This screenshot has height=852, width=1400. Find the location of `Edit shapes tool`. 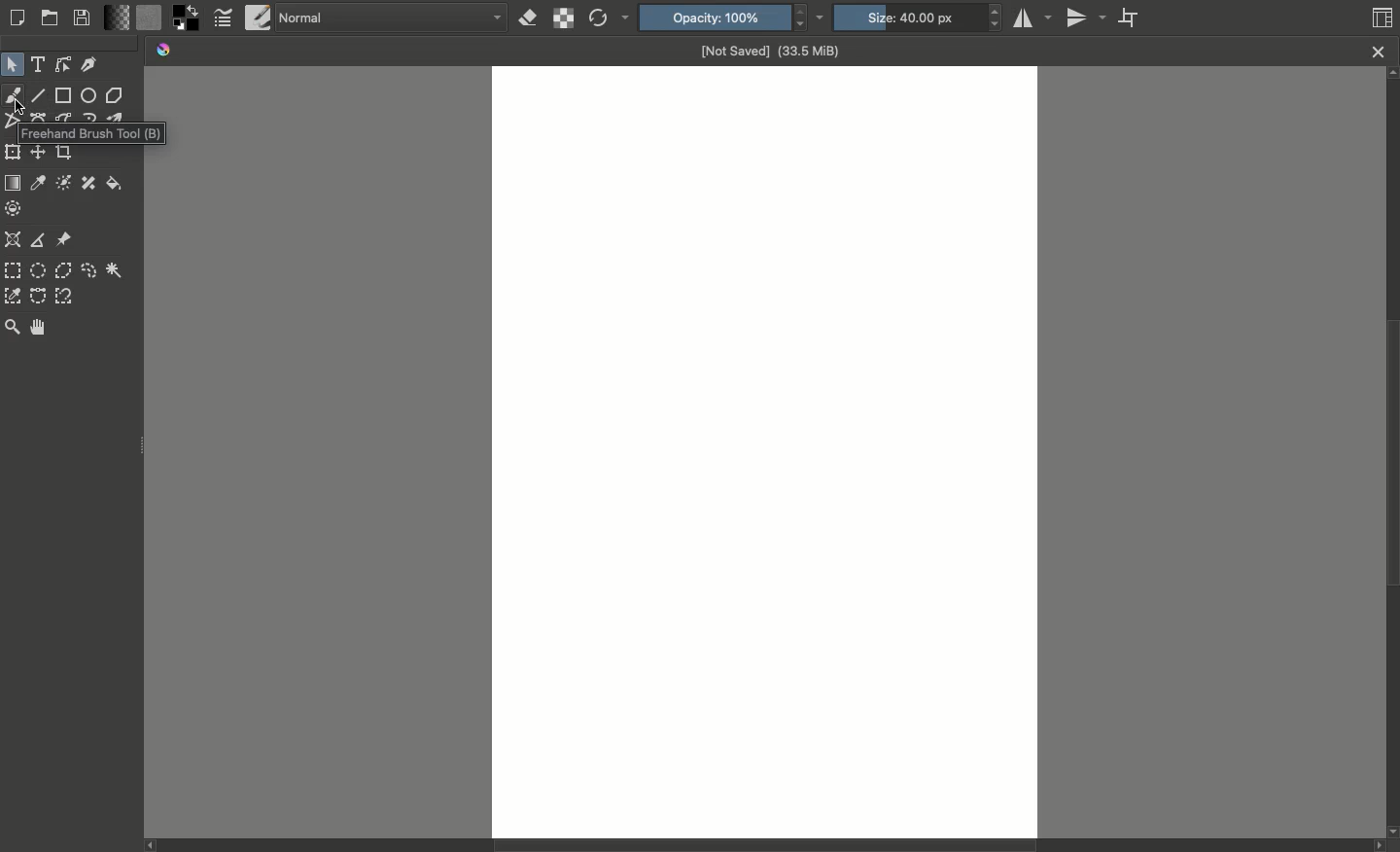

Edit shapes tool is located at coordinates (63, 66).